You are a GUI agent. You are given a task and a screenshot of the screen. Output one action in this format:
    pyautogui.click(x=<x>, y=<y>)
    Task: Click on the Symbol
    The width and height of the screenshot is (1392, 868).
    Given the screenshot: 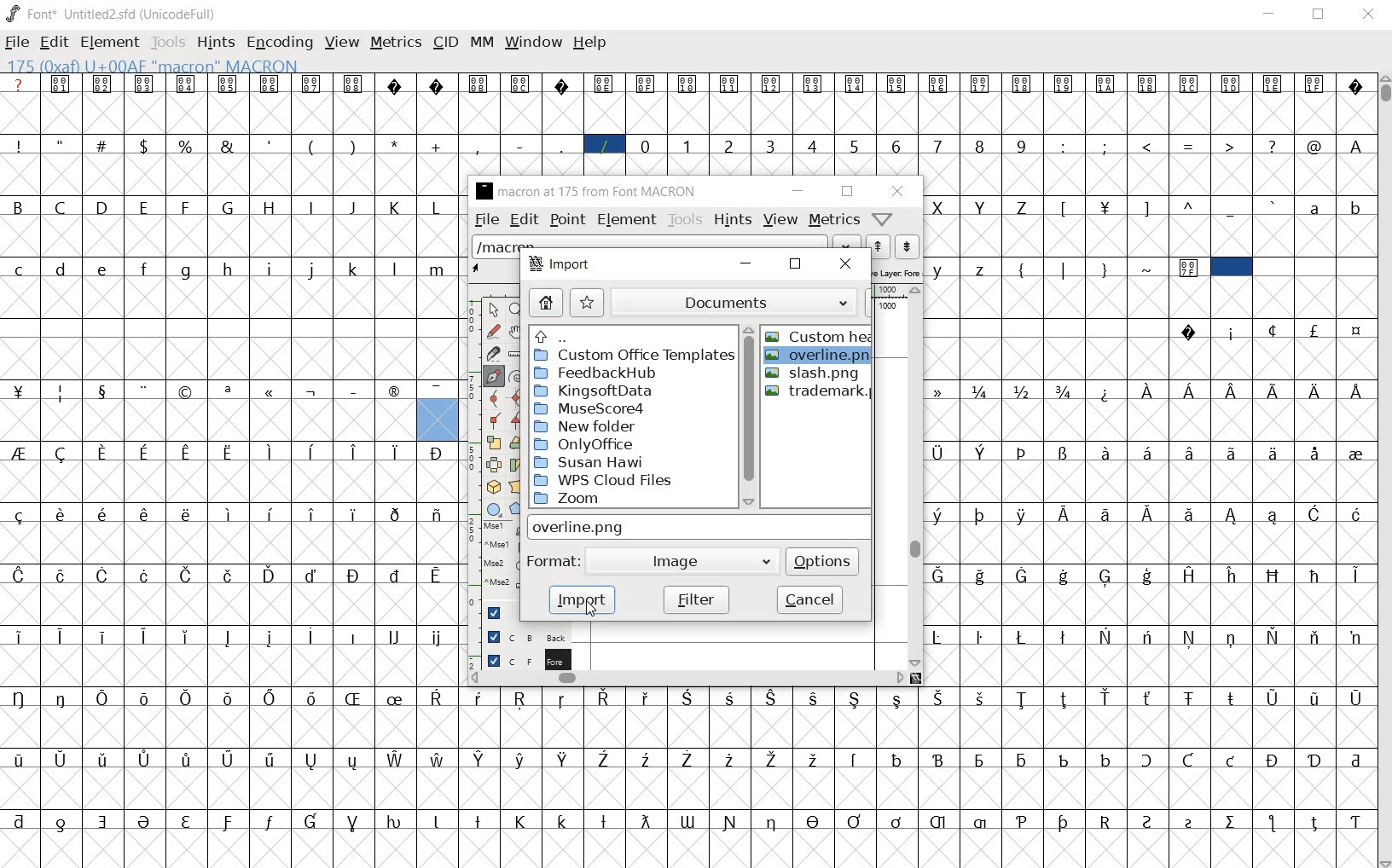 What is the action you would take?
    pyautogui.click(x=815, y=820)
    